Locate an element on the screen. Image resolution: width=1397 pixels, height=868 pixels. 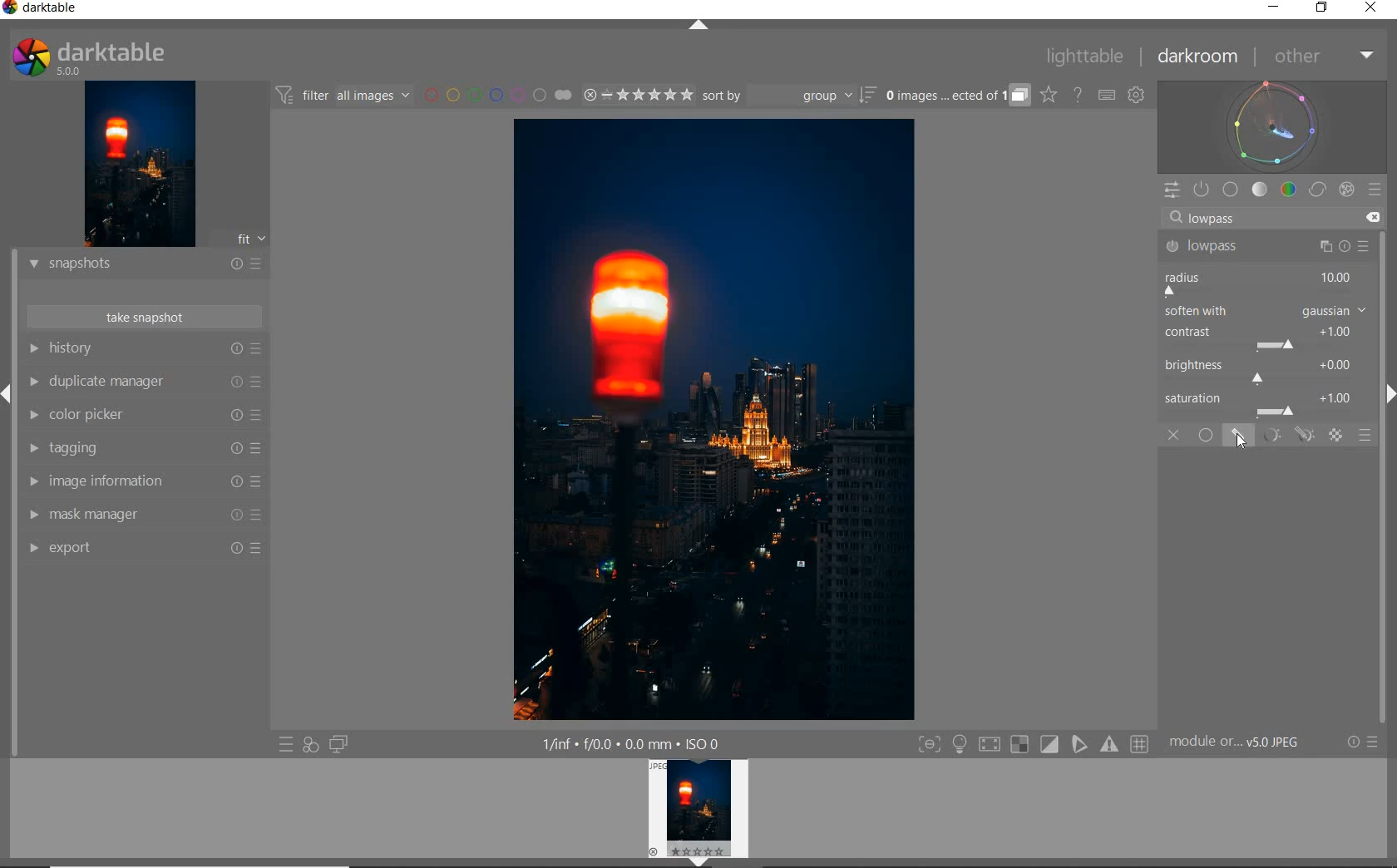
 is located at coordinates (234, 448).